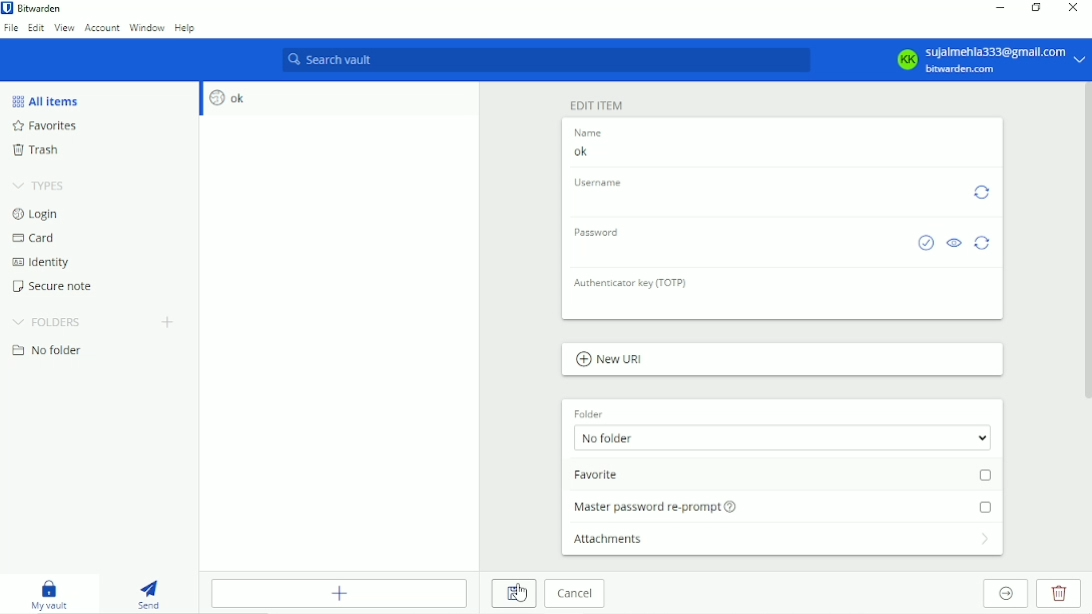 This screenshot has width=1092, height=614. What do you see at coordinates (33, 238) in the screenshot?
I see `Card` at bounding box center [33, 238].